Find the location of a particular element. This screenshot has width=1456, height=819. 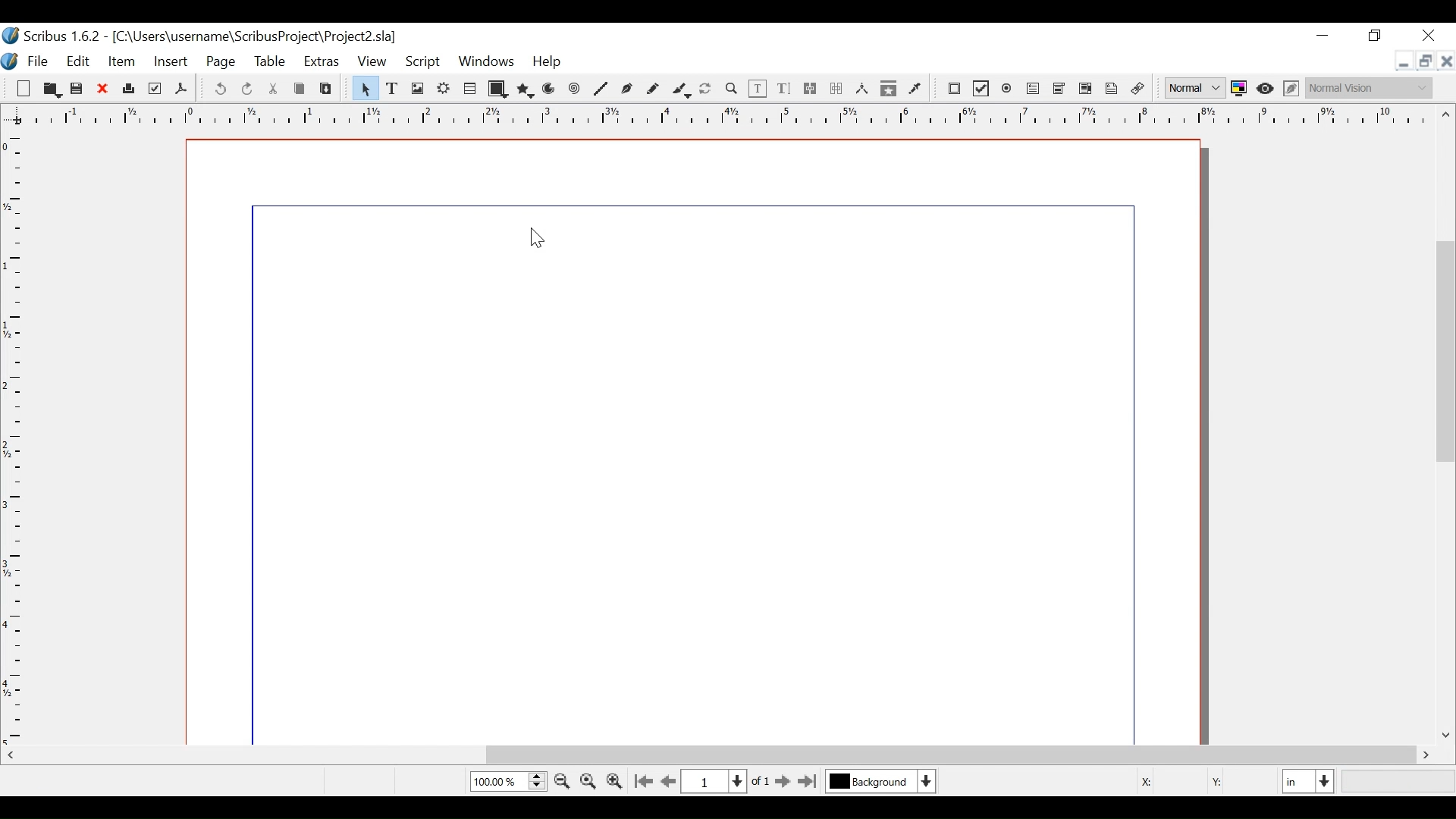

Print is located at coordinates (129, 89).